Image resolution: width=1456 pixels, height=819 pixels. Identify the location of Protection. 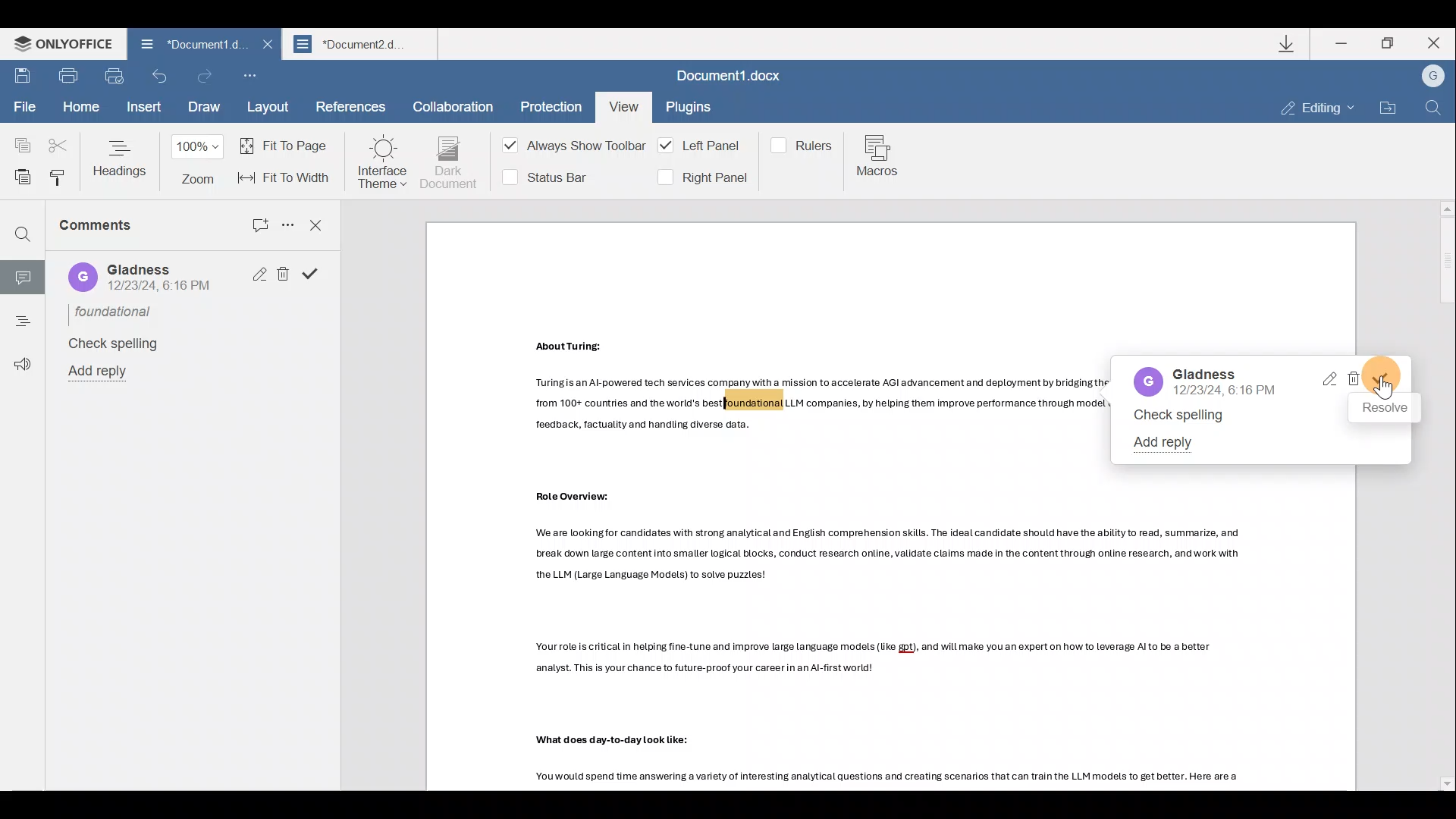
(547, 104).